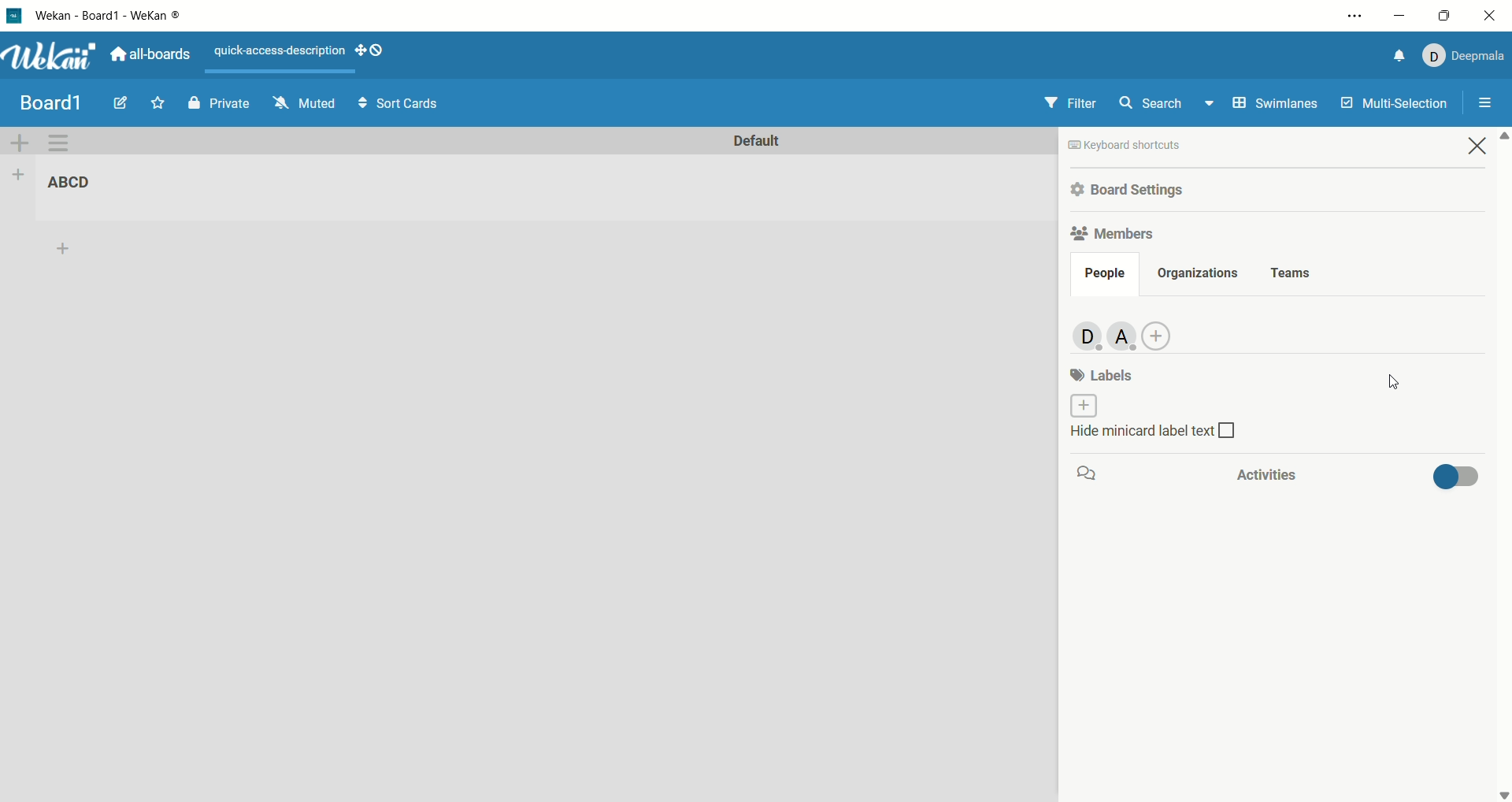  What do you see at coordinates (755, 142) in the screenshot?
I see `default` at bounding box center [755, 142].